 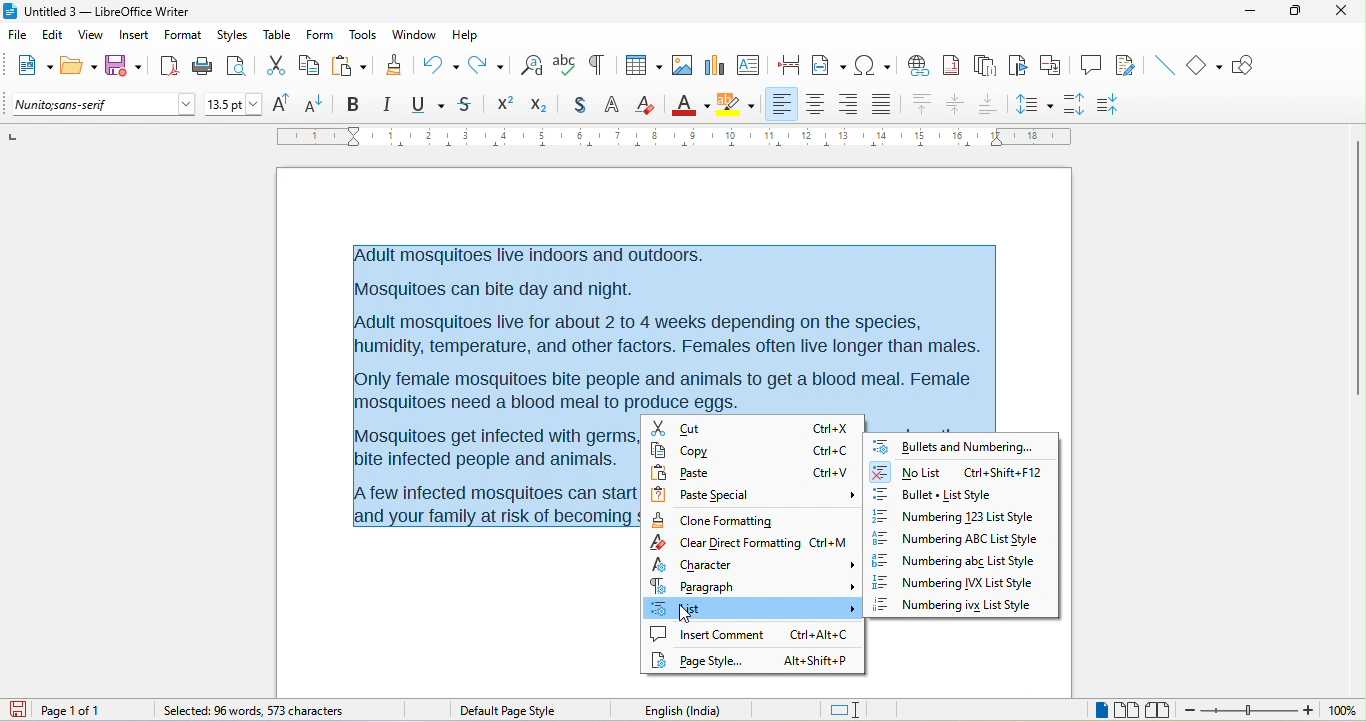 What do you see at coordinates (958, 586) in the screenshot?
I see `numbering ivx list style` at bounding box center [958, 586].